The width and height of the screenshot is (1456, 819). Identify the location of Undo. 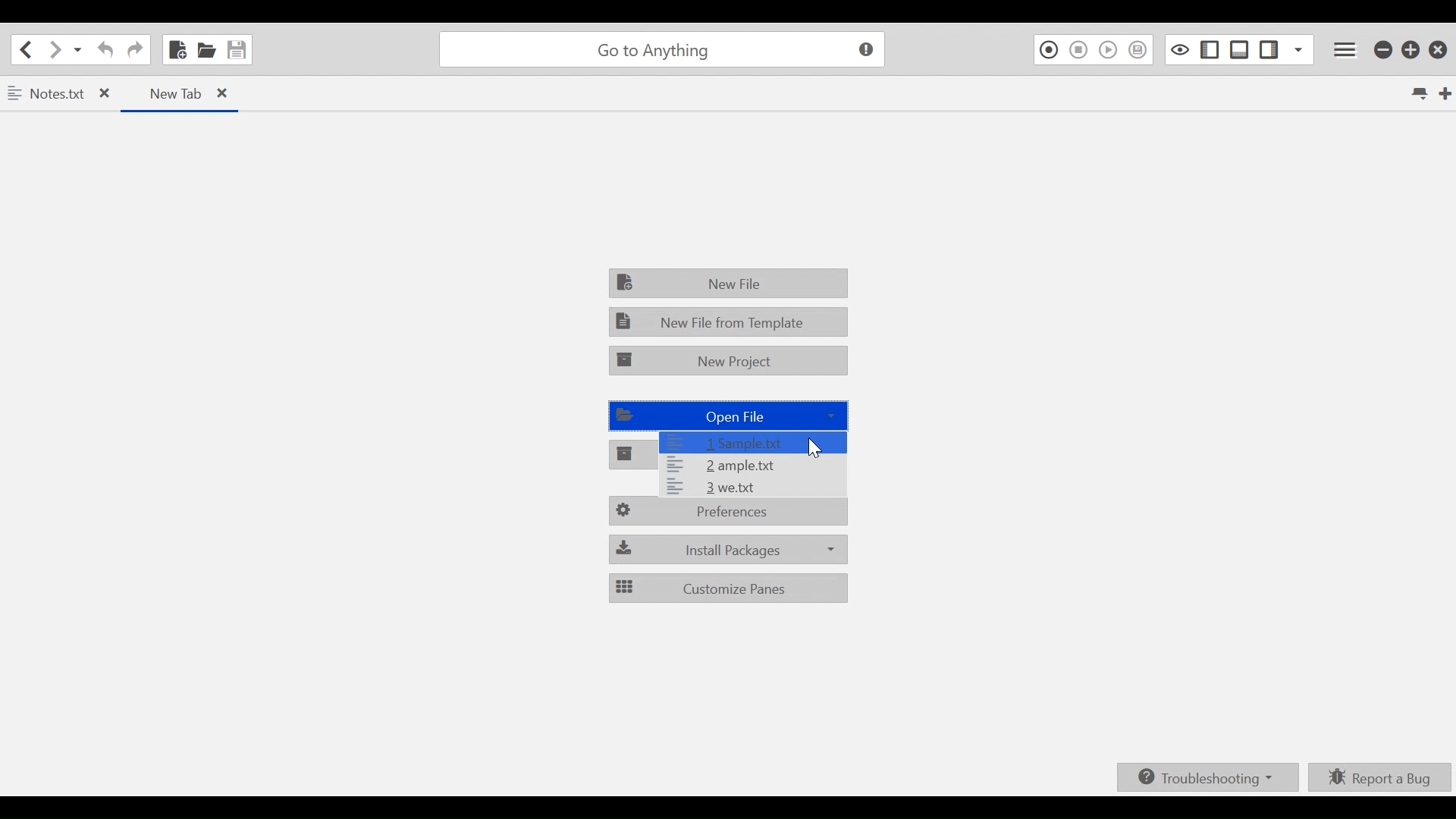
(106, 49).